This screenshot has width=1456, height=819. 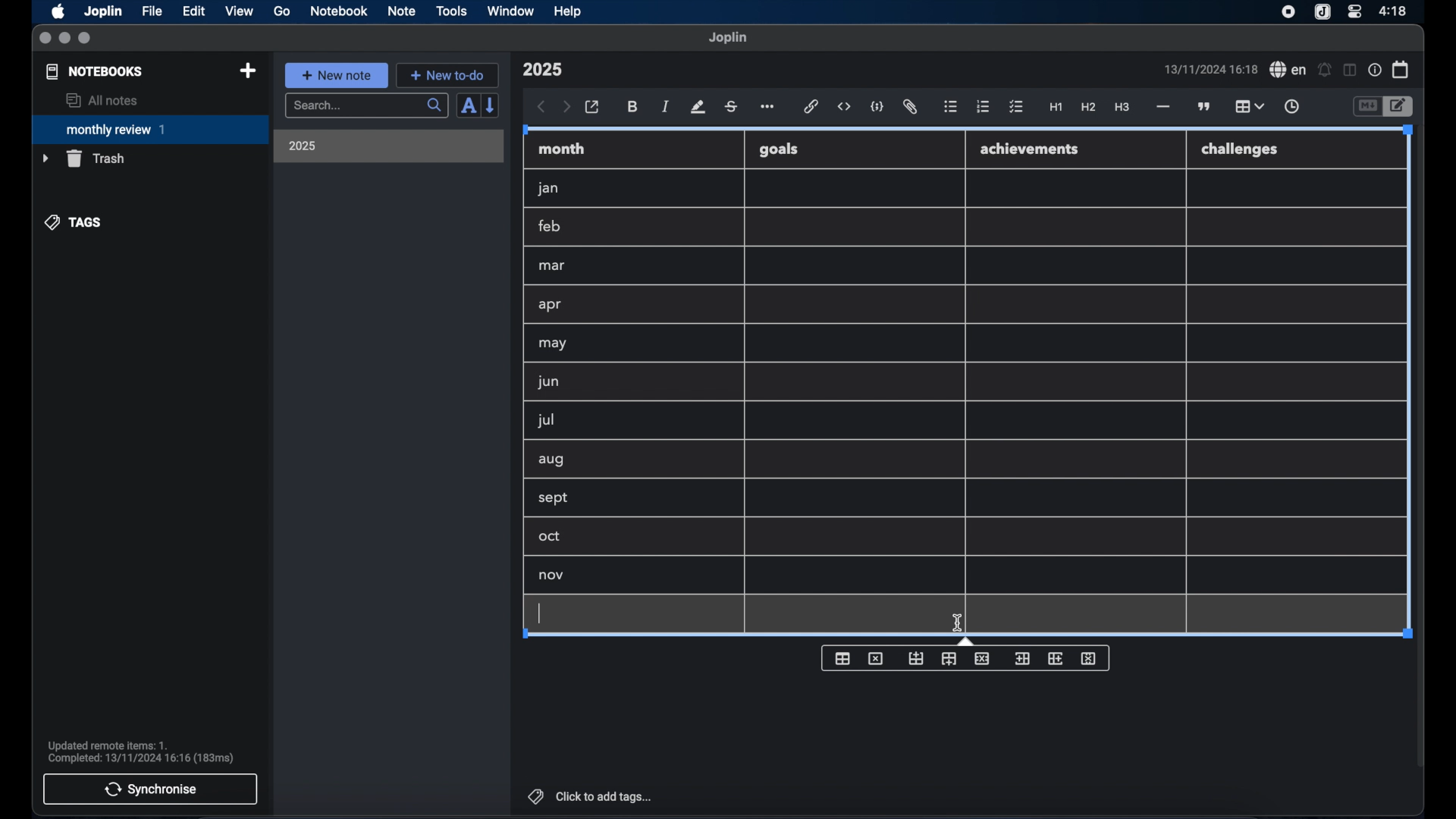 I want to click on new to-do, so click(x=448, y=75).